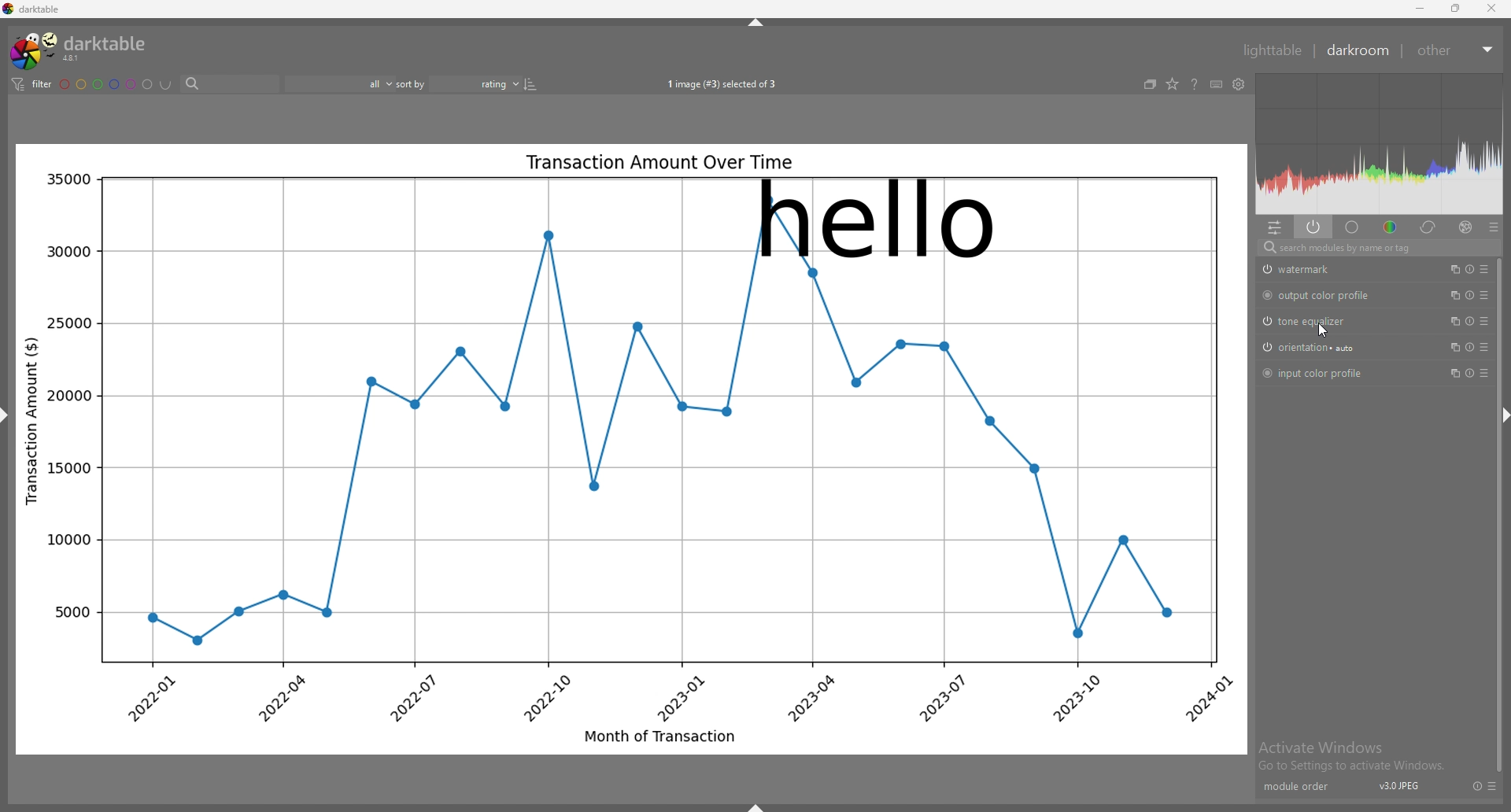 The width and height of the screenshot is (1511, 812). Describe the element at coordinates (877, 220) in the screenshot. I see `hello` at that location.